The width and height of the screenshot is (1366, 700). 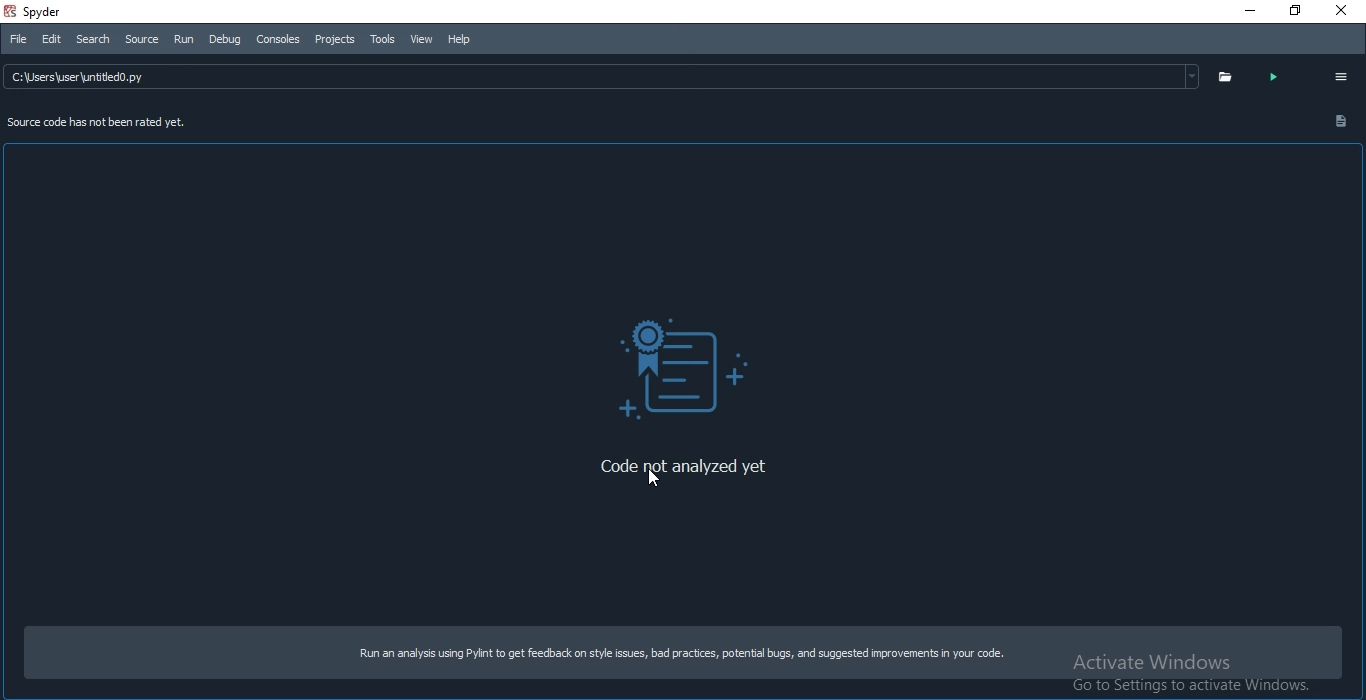 I want to click on icons, so click(x=685, y=368).